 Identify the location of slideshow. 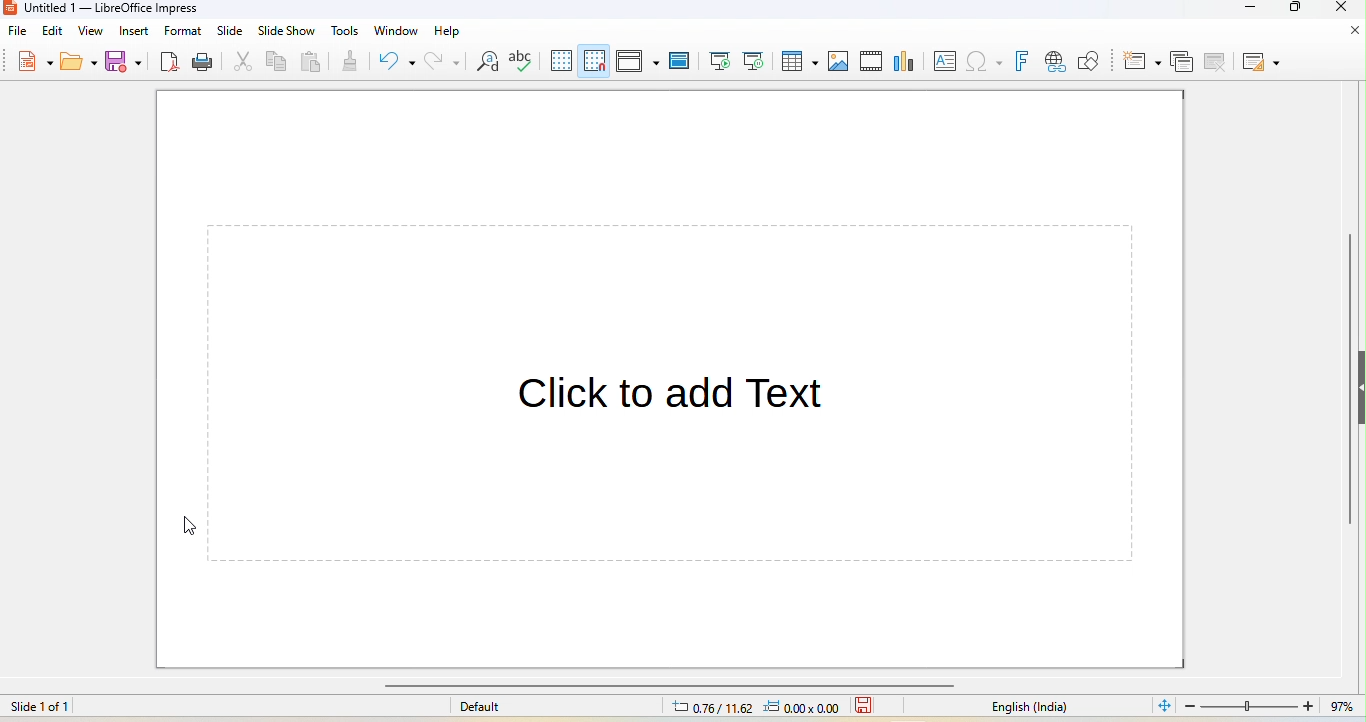
(286, 30).